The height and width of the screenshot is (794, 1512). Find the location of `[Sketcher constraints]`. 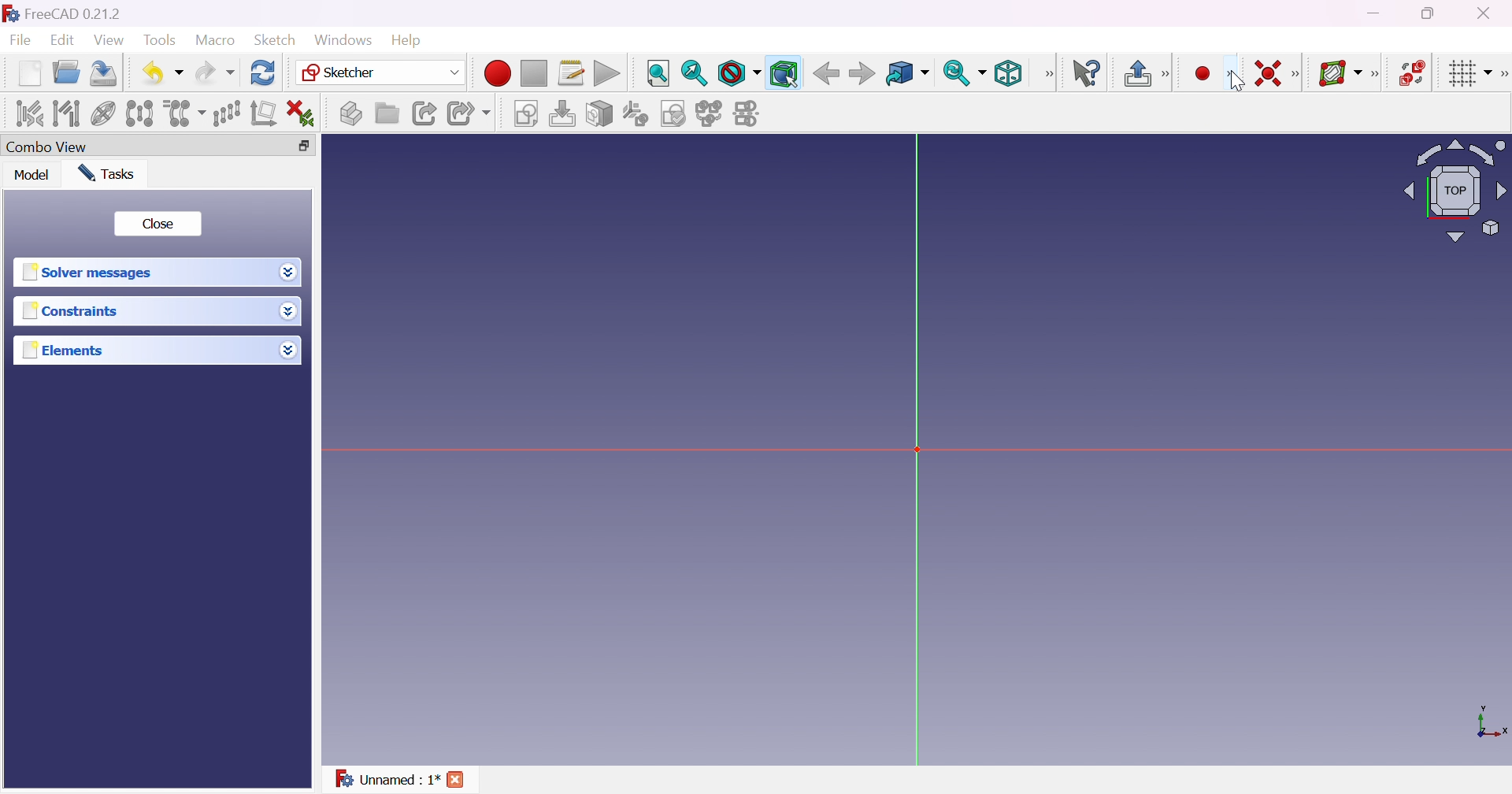

[Sketcher constraints] is located at coordinates (1299, 75).